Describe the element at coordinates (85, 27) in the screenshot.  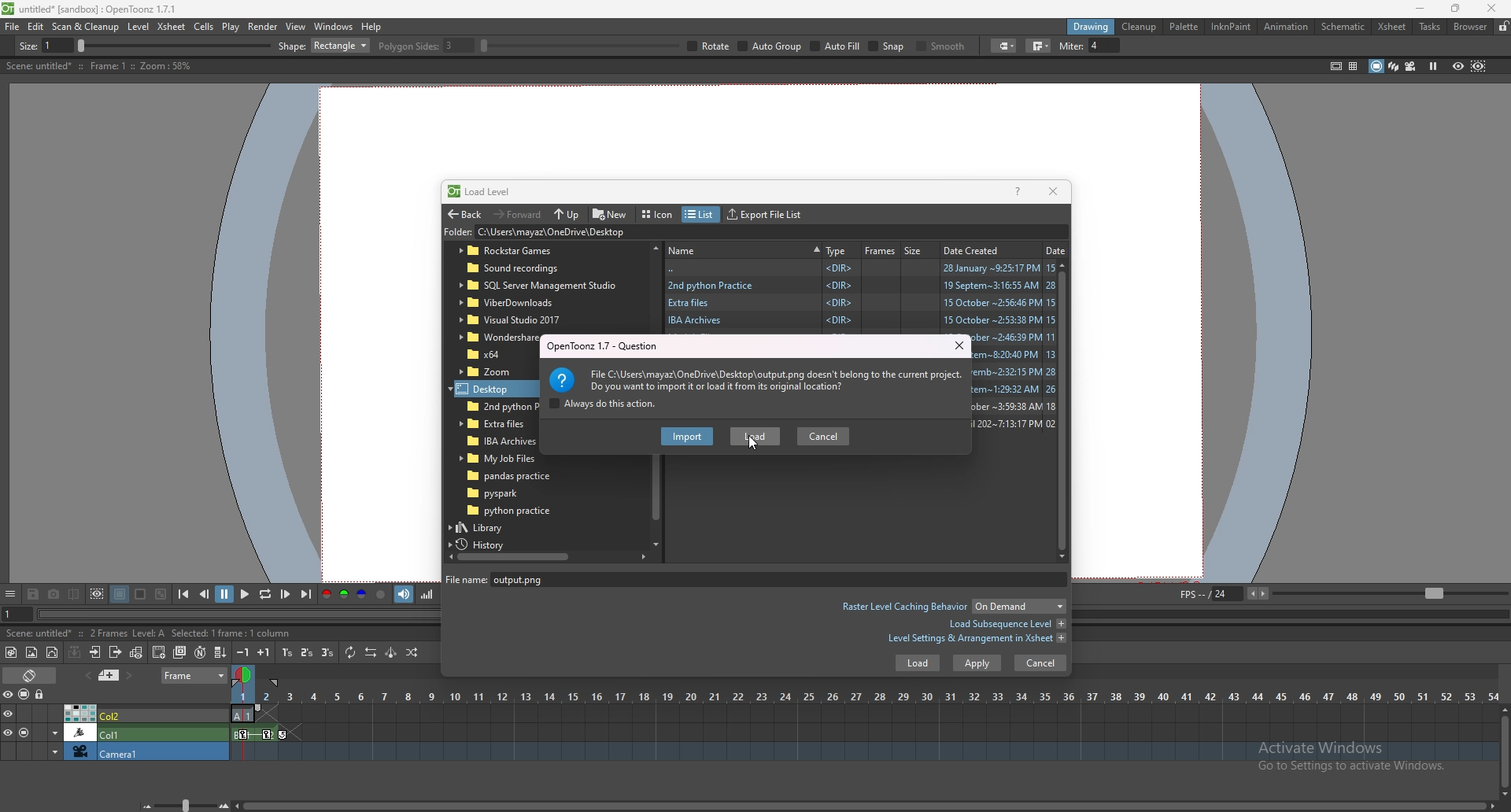
I see `scan and cleanup` at that location.